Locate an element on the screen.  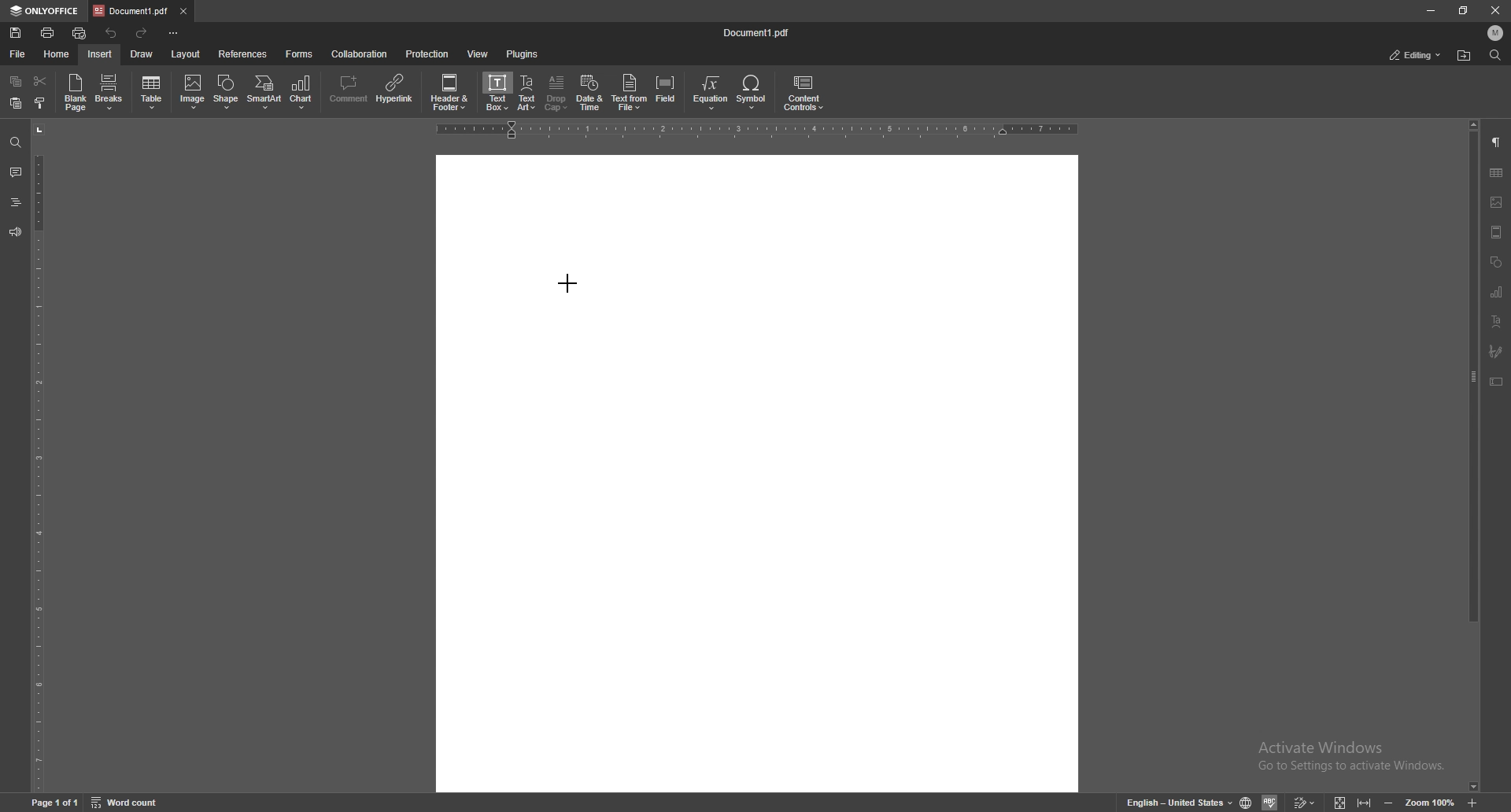
track changes is located at coordinates (1303, 803).